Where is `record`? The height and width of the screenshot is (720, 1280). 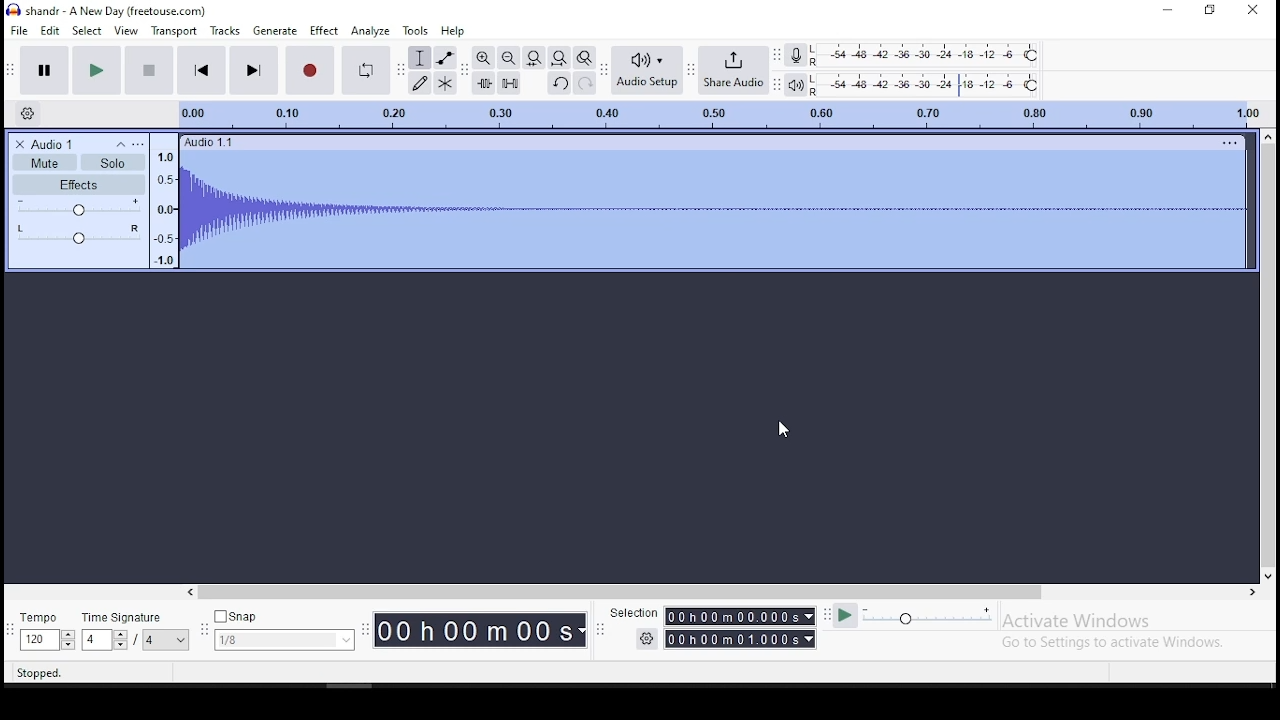
record is located at coordinates (308, 70).